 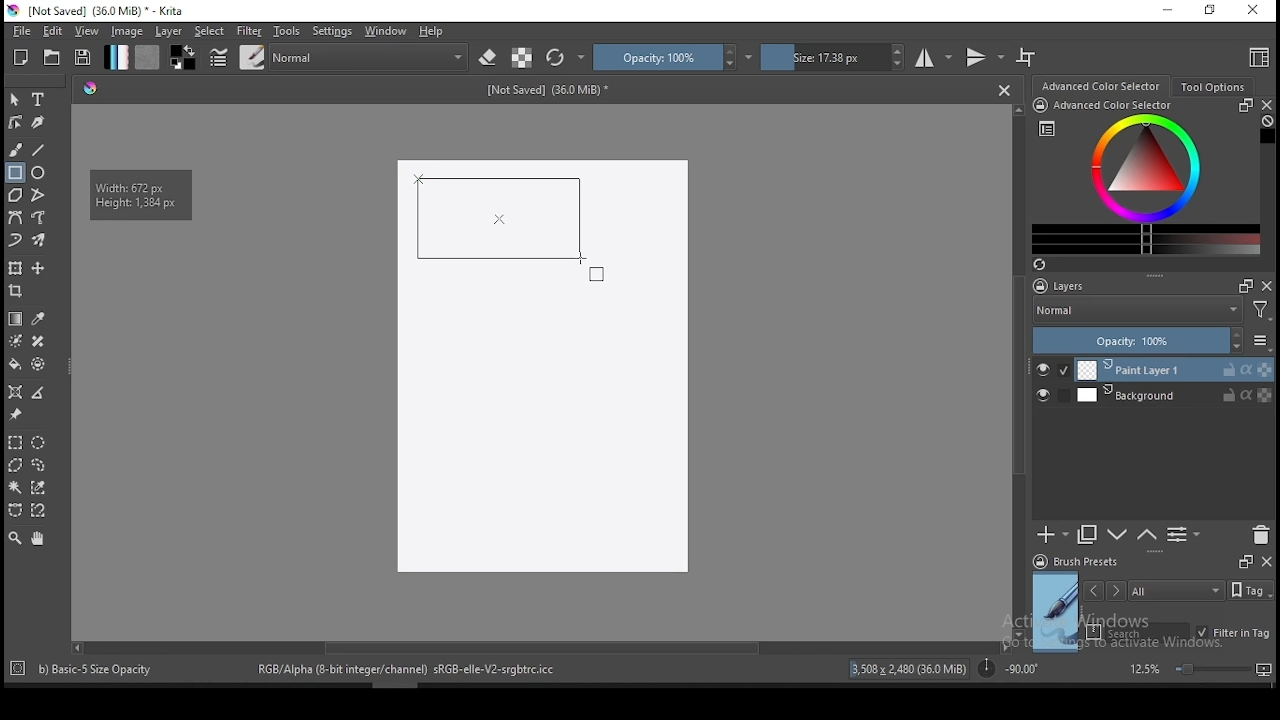 I want to click on polygon selection tool, so click(x=16, y=465).